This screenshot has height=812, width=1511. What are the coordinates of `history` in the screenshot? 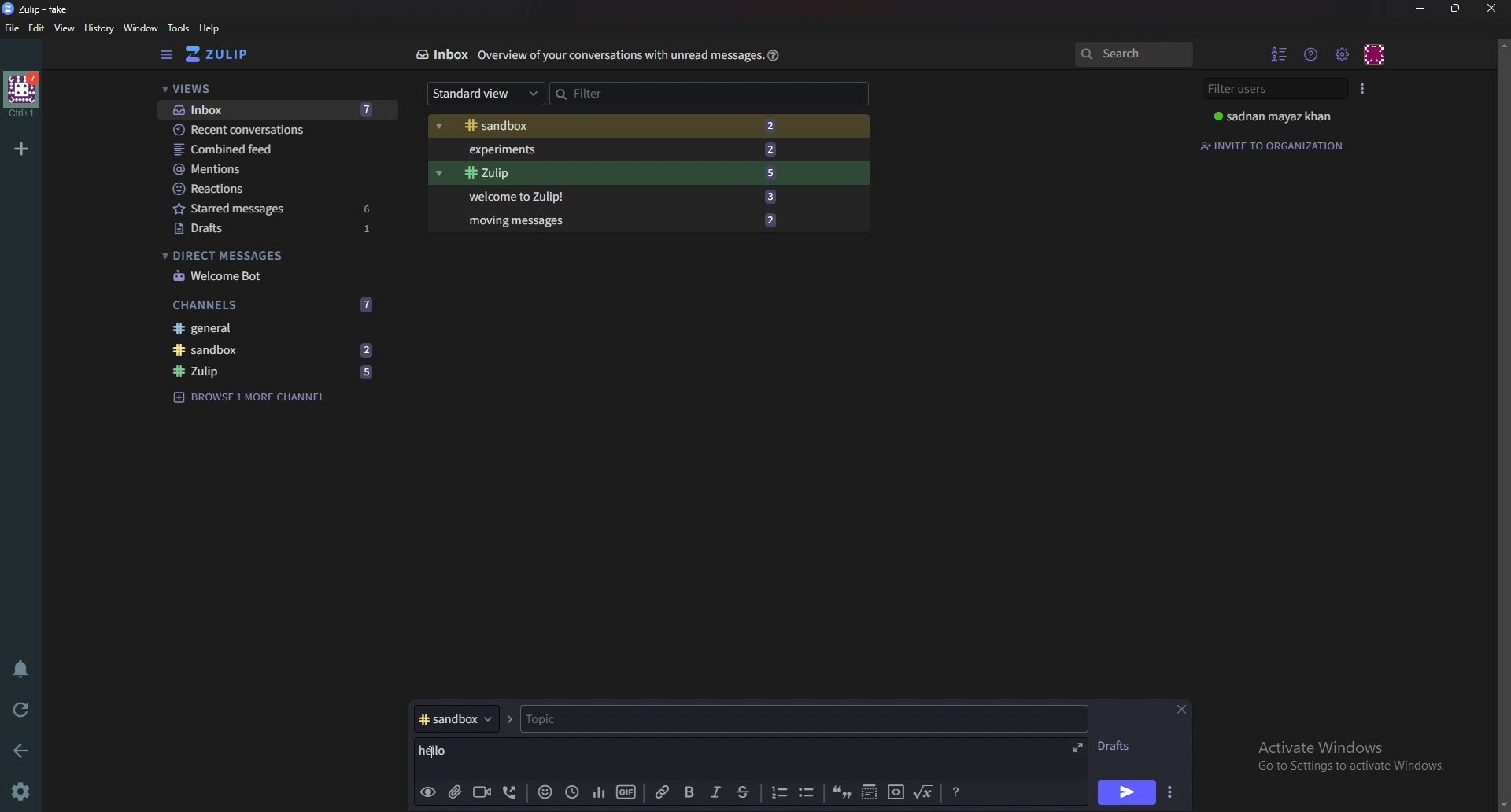 It's located at (98, 28).